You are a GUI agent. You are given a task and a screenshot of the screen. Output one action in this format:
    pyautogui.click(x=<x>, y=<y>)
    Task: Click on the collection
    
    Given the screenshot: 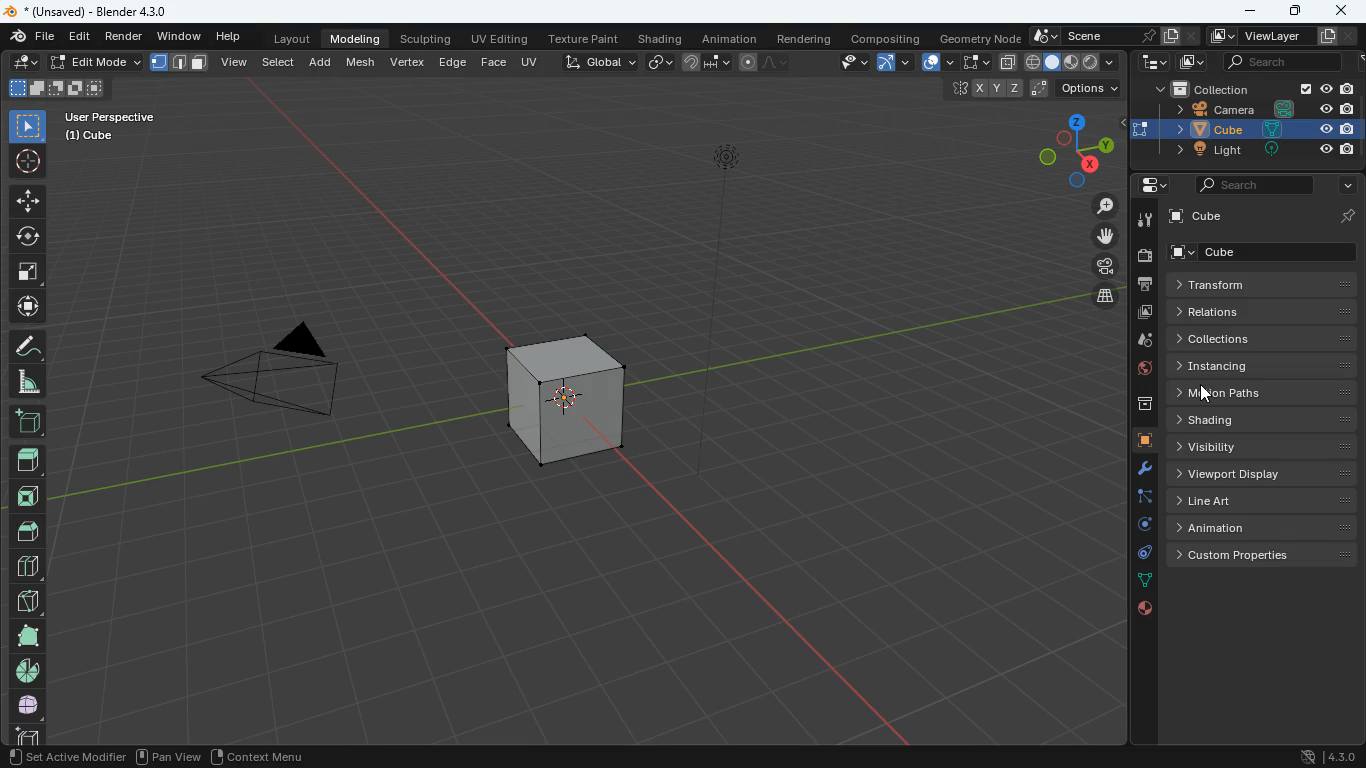 What is the action you would take?
    pyautogui.click(x=1252, y=90)
    